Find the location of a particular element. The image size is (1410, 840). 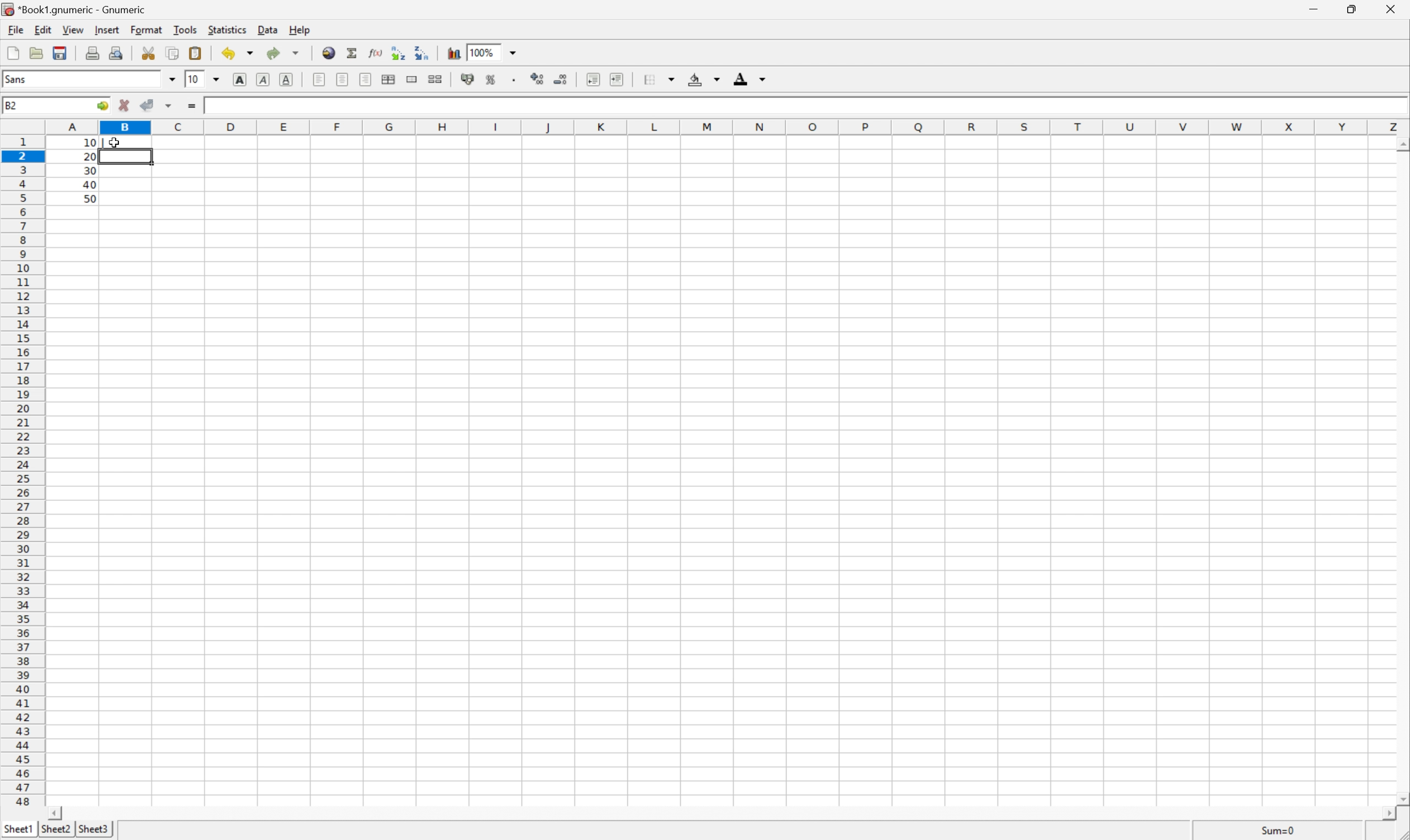

Italic is located at coordinates (264, 78).